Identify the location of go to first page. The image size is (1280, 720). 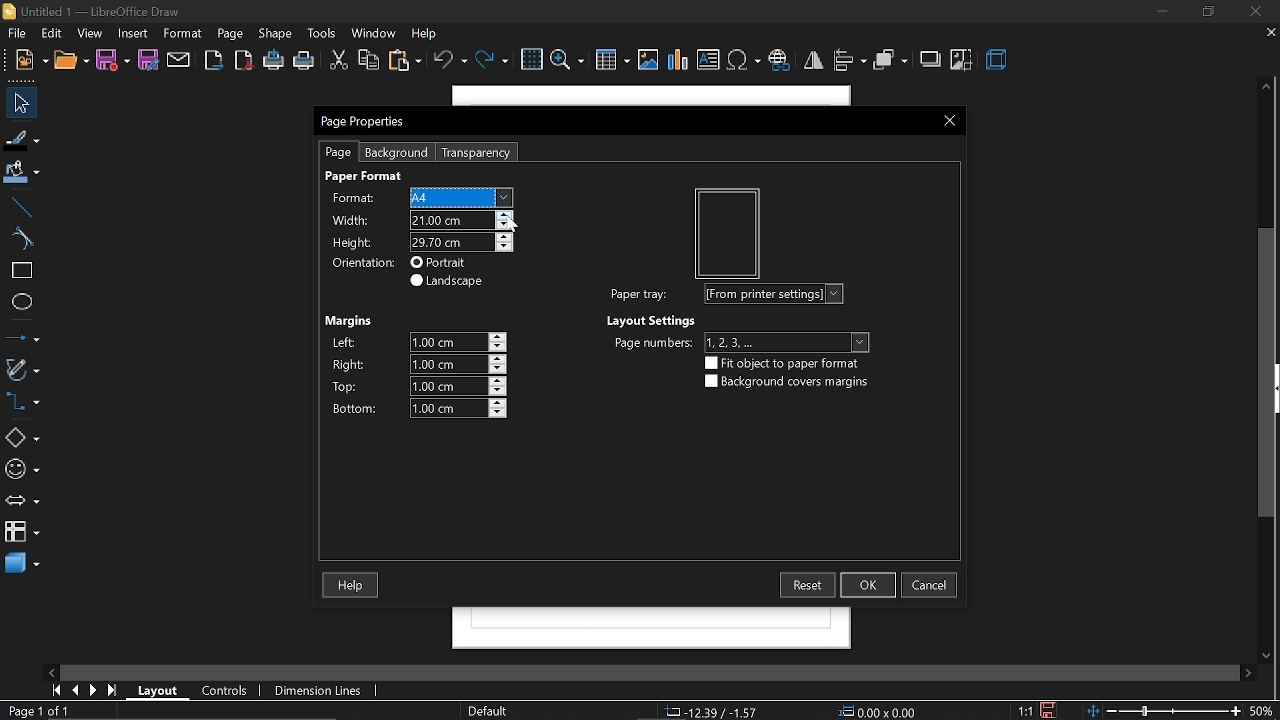
(55, 690).